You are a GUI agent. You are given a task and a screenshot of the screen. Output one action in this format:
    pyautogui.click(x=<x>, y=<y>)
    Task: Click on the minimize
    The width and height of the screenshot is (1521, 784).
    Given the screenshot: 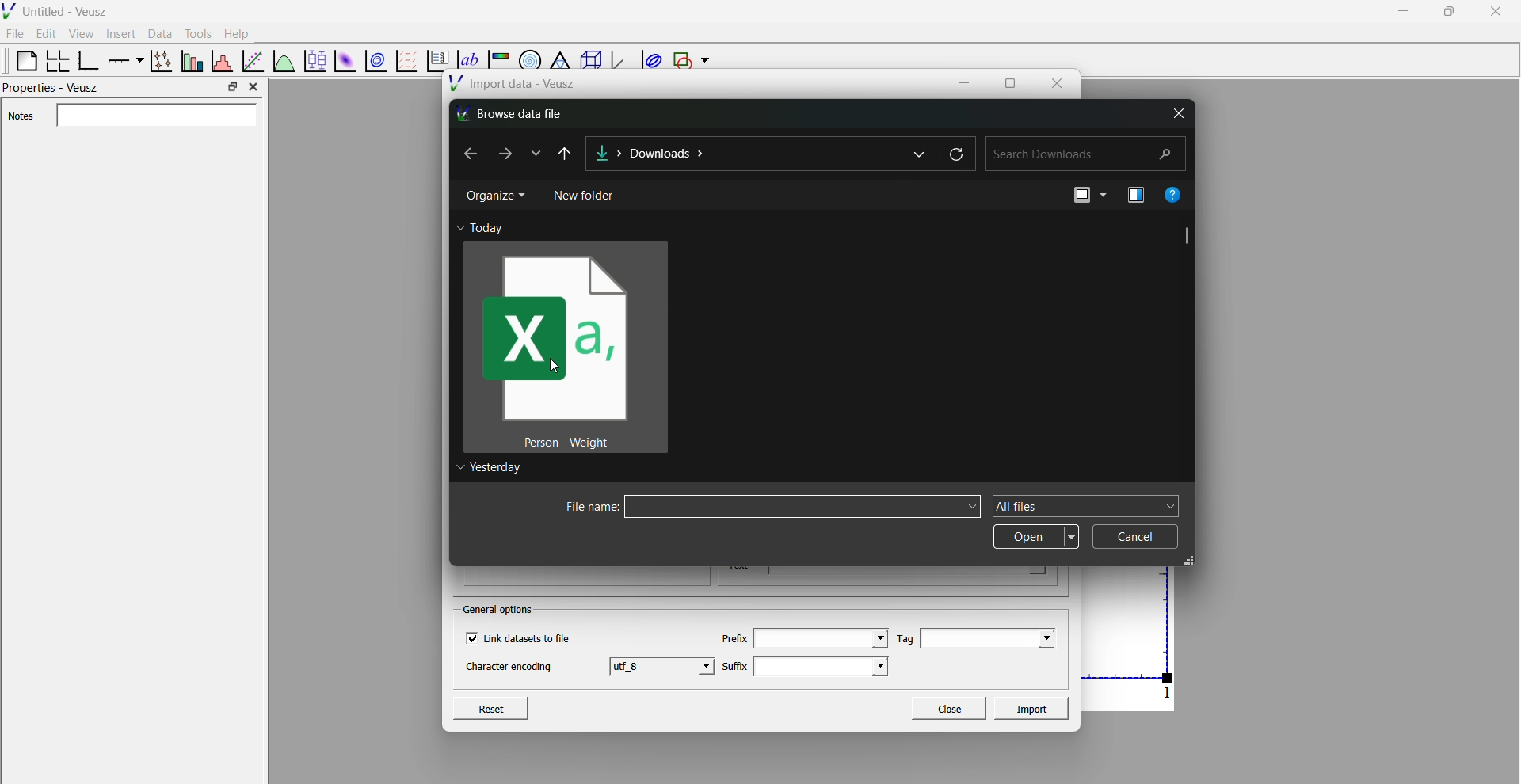 What is the action you would take?
    pyautogui.click(x=967, y=82)
    